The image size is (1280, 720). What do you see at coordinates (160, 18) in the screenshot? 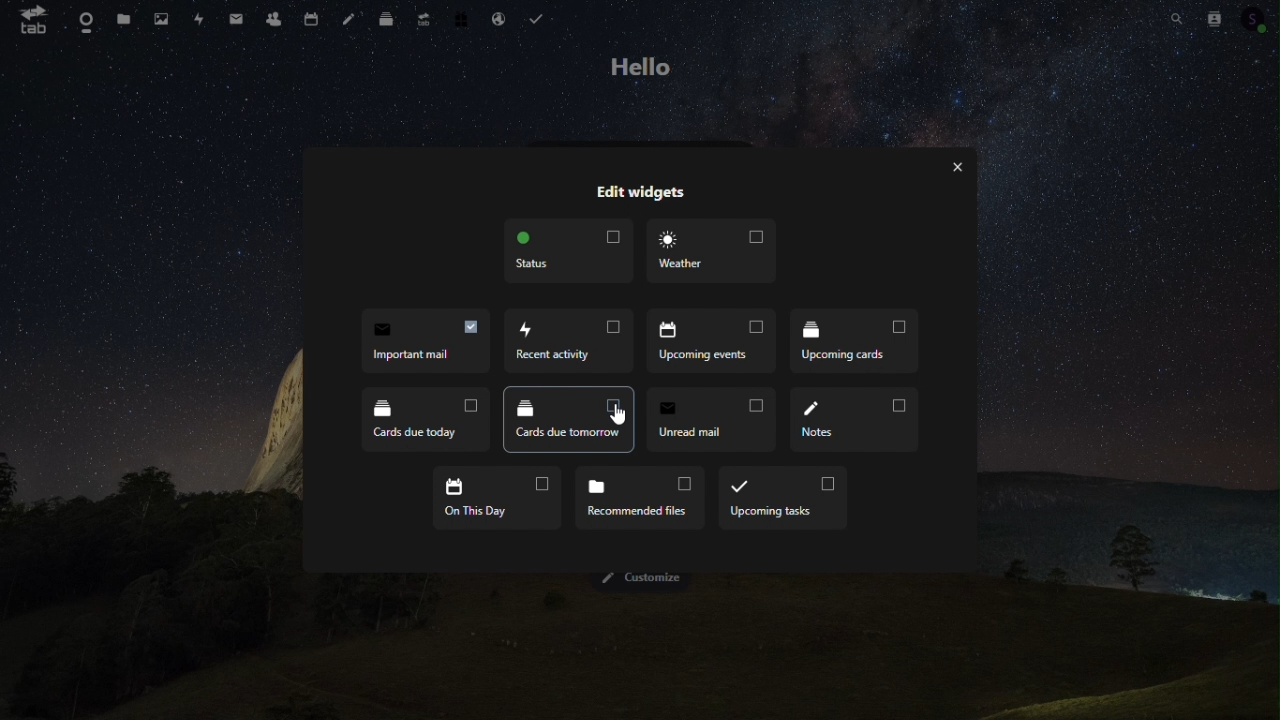
I see `Photos` at bounding box center [160, 18].